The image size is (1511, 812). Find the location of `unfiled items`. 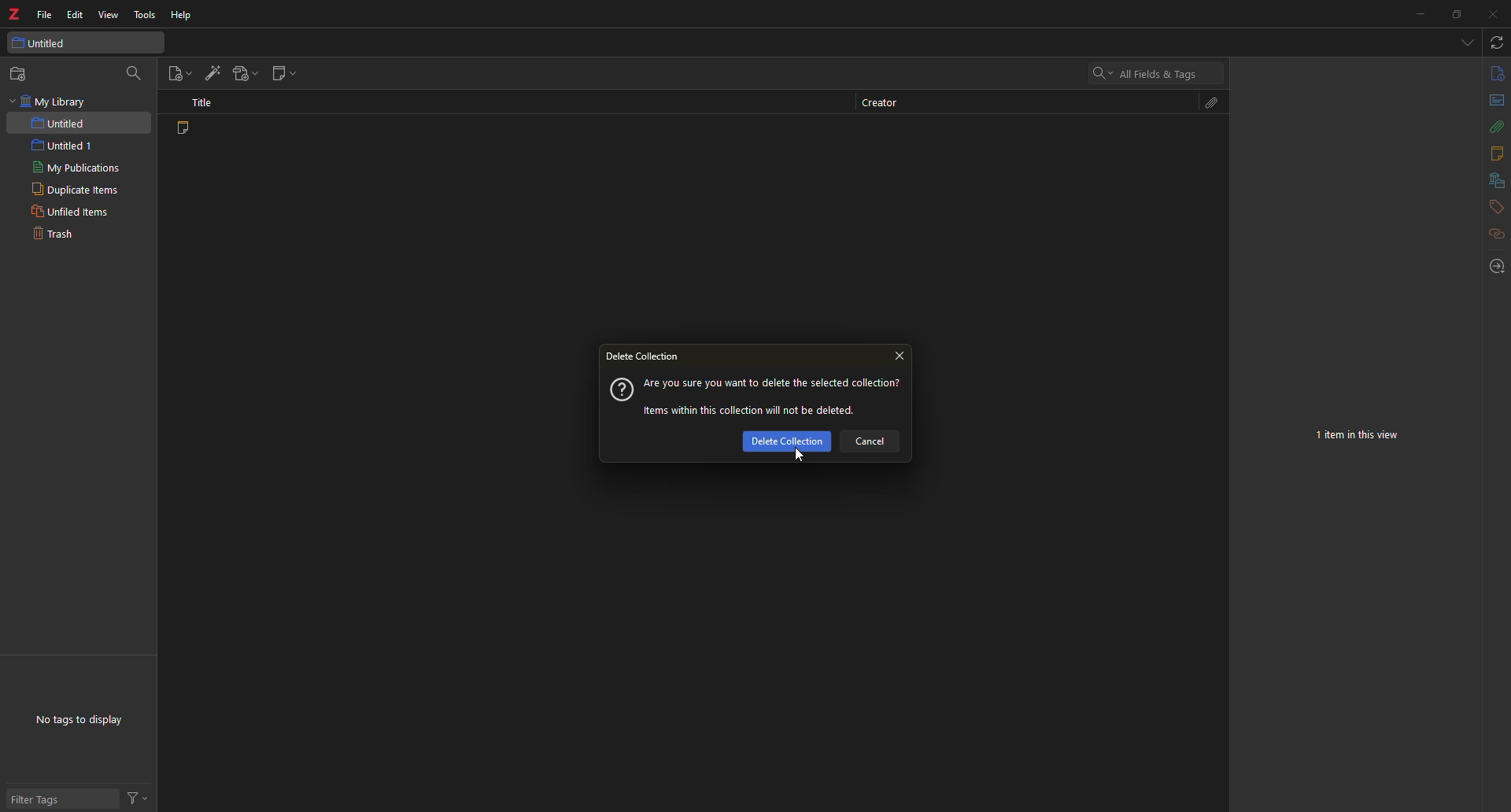

unfiled items is located at coordinates (79, 214).